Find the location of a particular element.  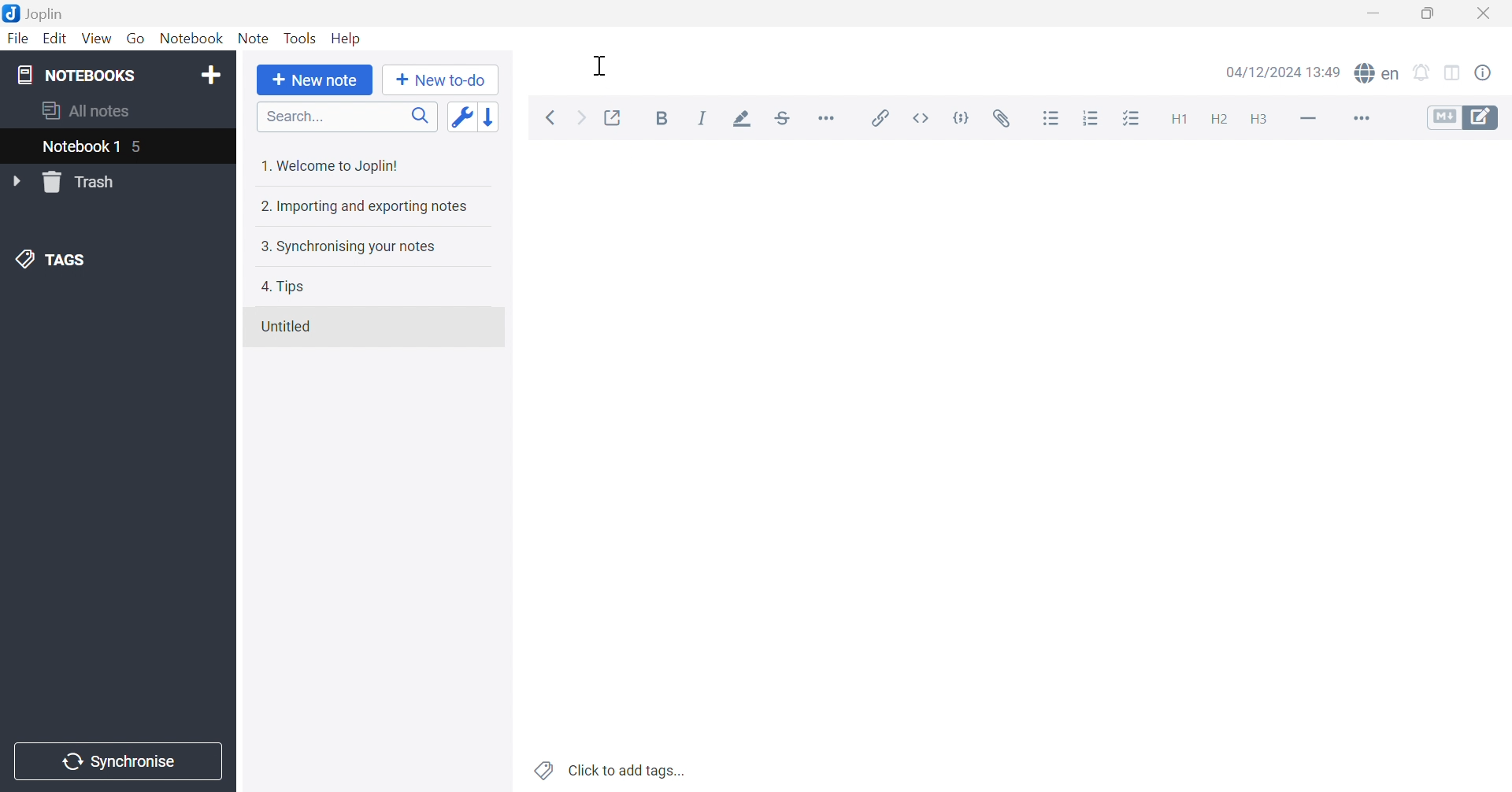

Tools is located at coordinates (301, 38).